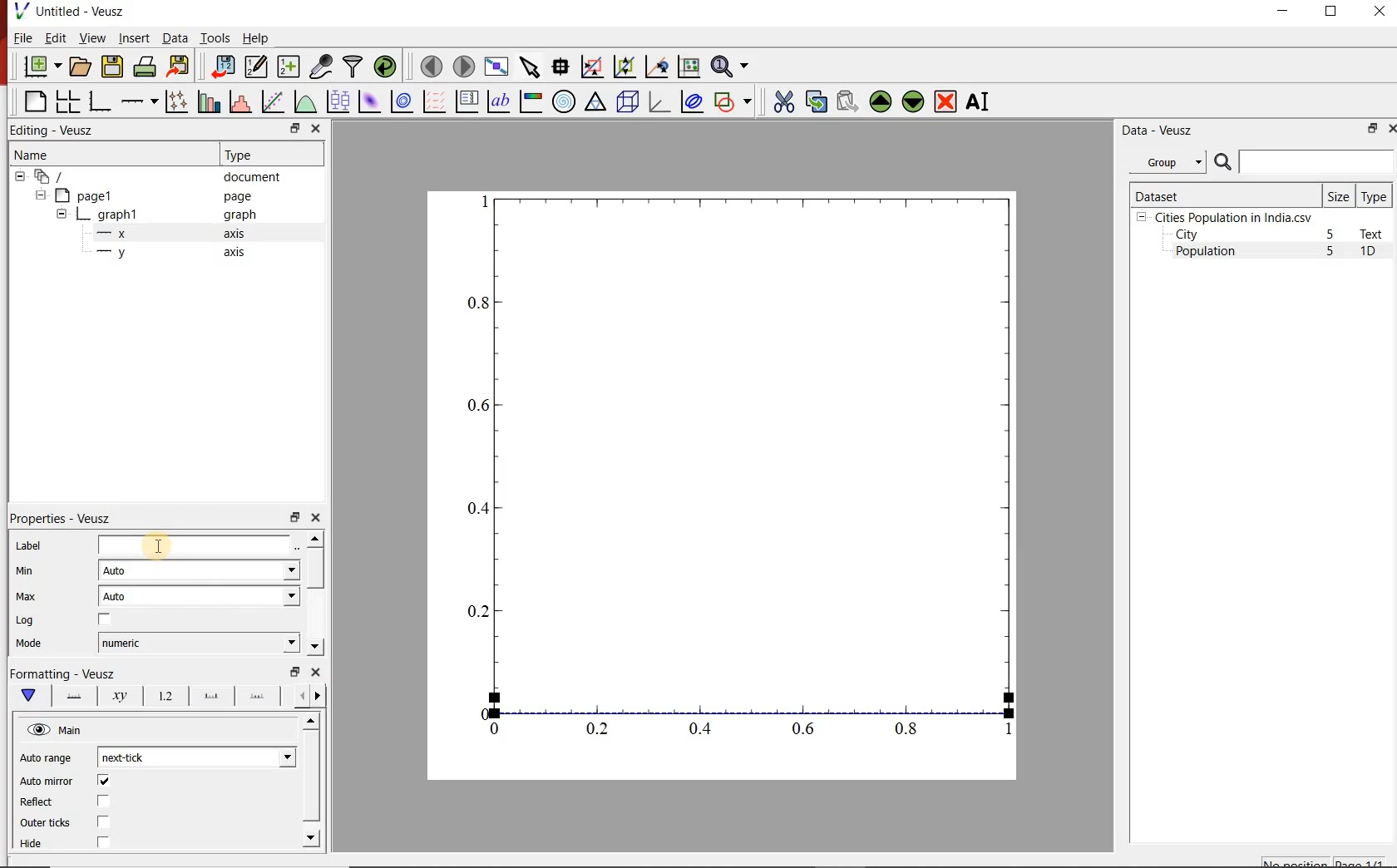 The width and height of the screenshot is (1397, 868). What do you see at coordinates (319, 67) in the screenshot?
I see `capture remote data` at bounding box center [319, 67].